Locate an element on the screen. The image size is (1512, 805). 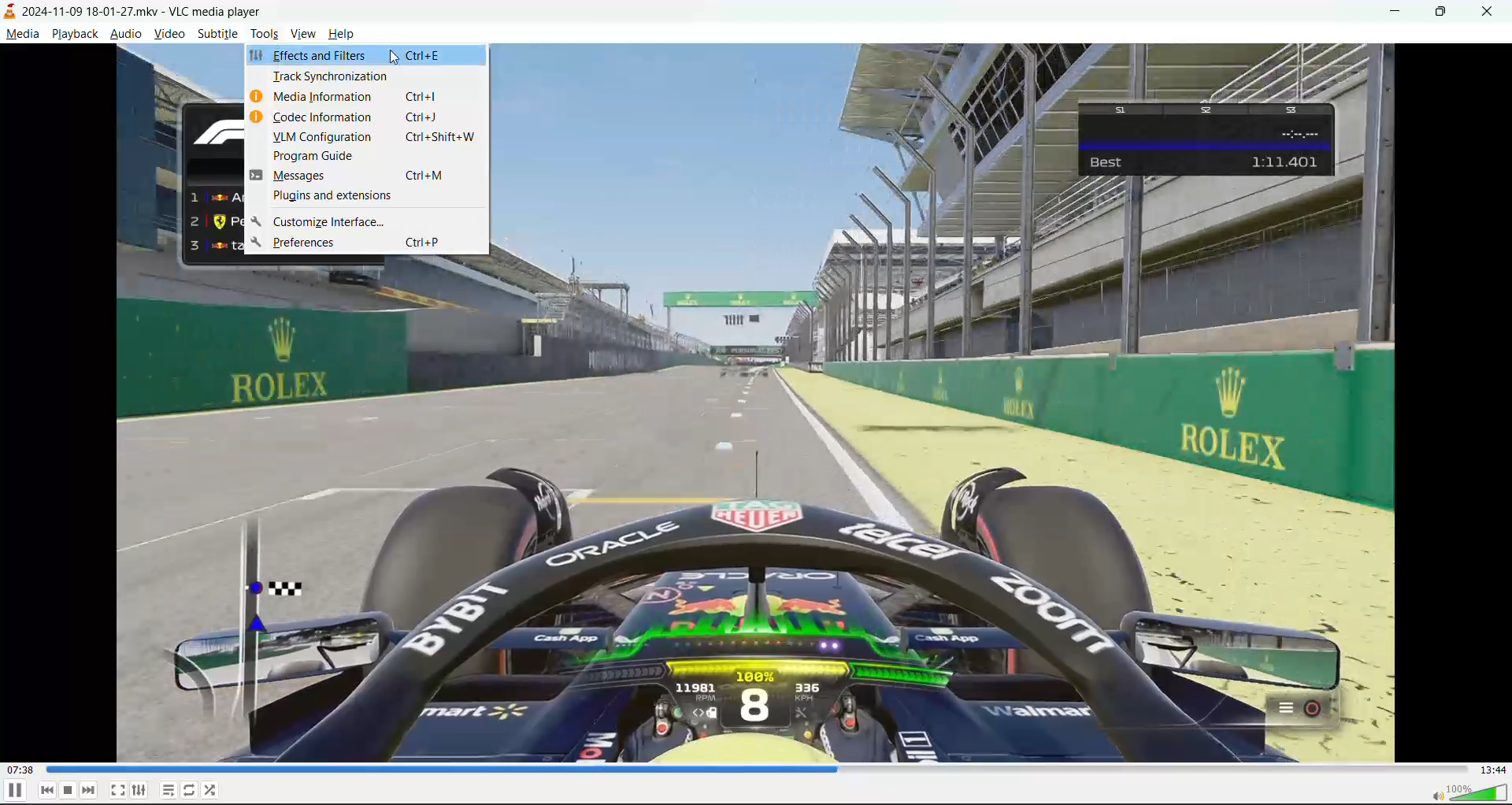
codec information is located at coordinates (372, 119).